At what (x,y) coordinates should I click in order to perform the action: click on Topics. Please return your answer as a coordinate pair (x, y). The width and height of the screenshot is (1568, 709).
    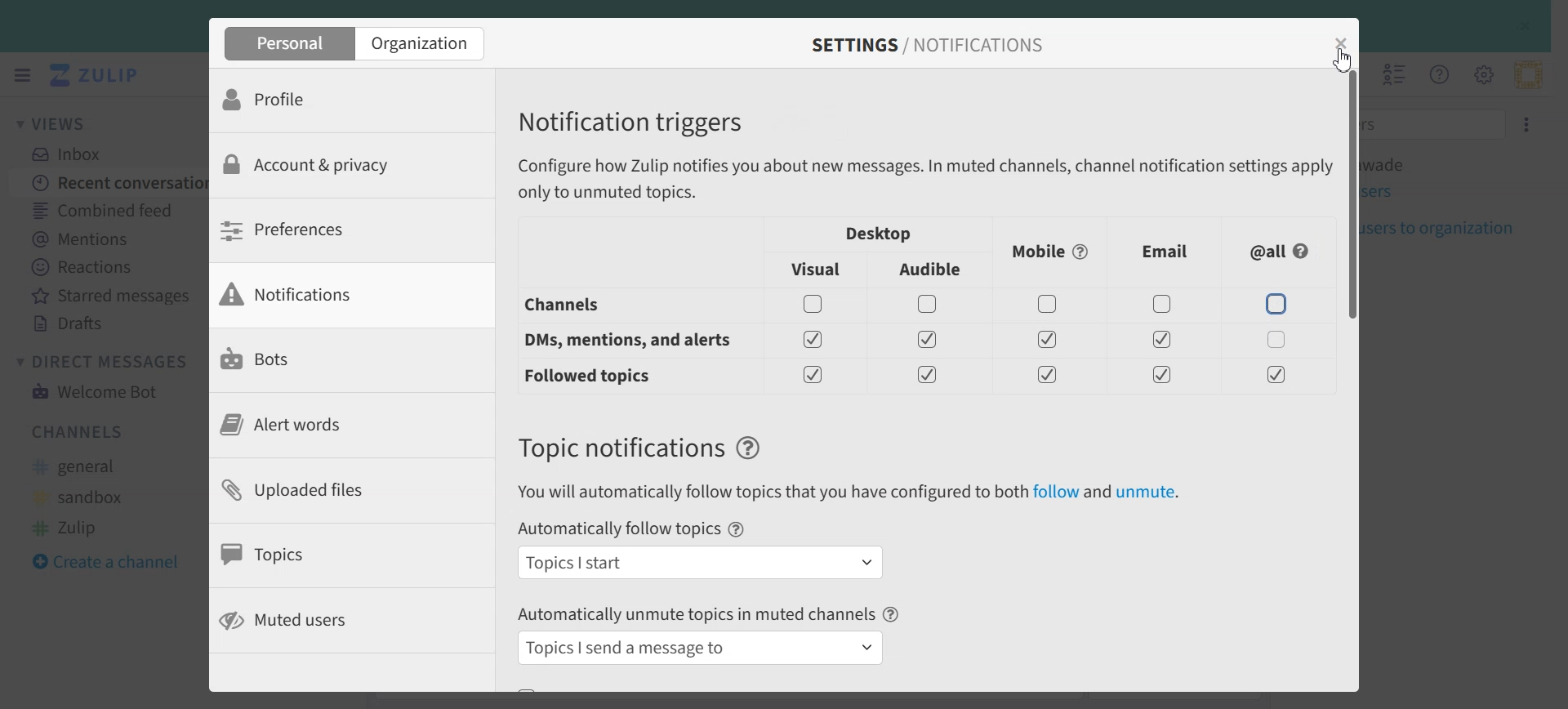
    Looking at the image, I should click on (330, 554).